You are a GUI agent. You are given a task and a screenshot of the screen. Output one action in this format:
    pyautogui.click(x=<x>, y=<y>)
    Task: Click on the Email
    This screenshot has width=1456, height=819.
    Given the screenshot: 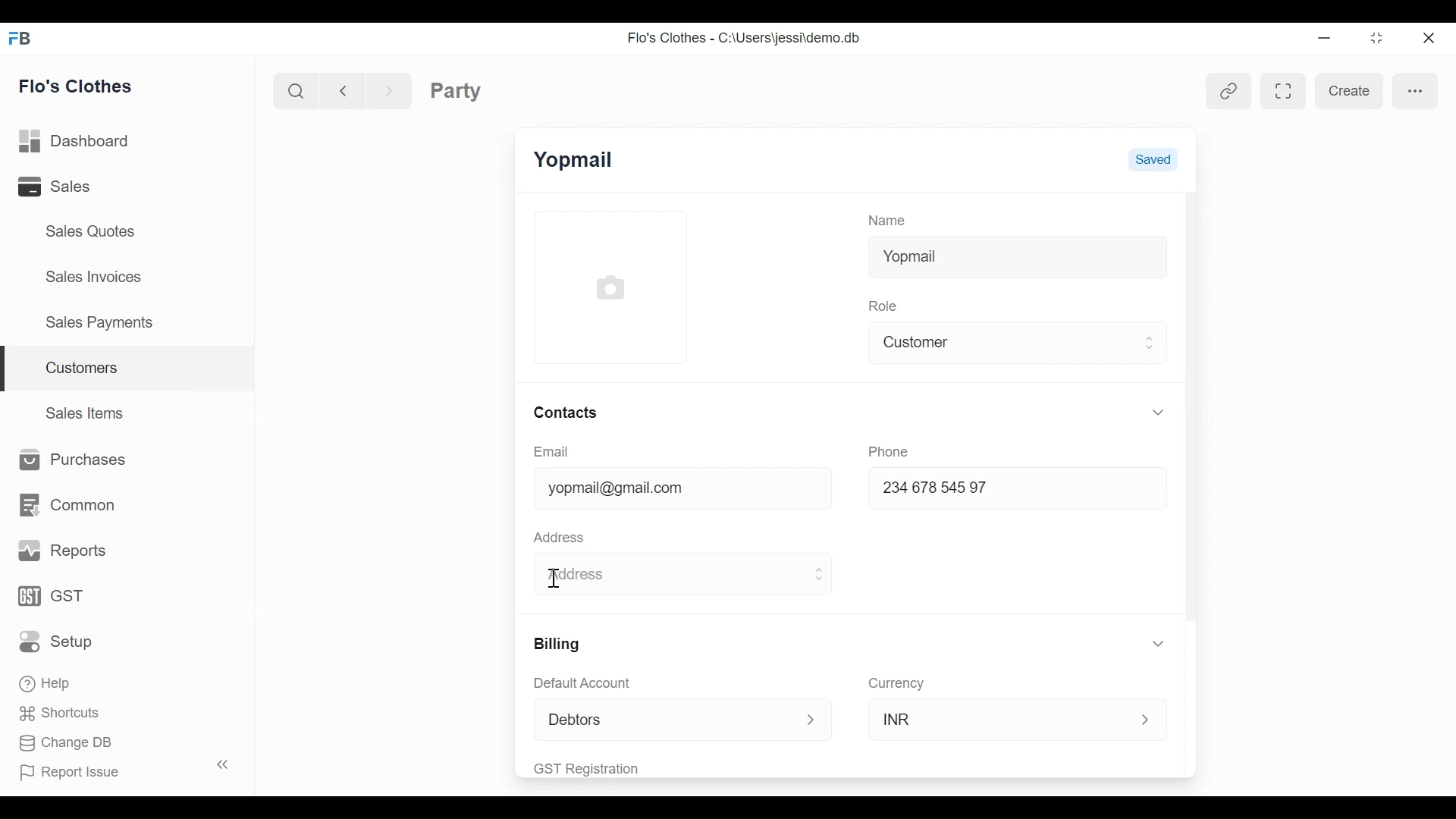 What is the action you would take?
    pyautogui.click(x=551, y=452)
    